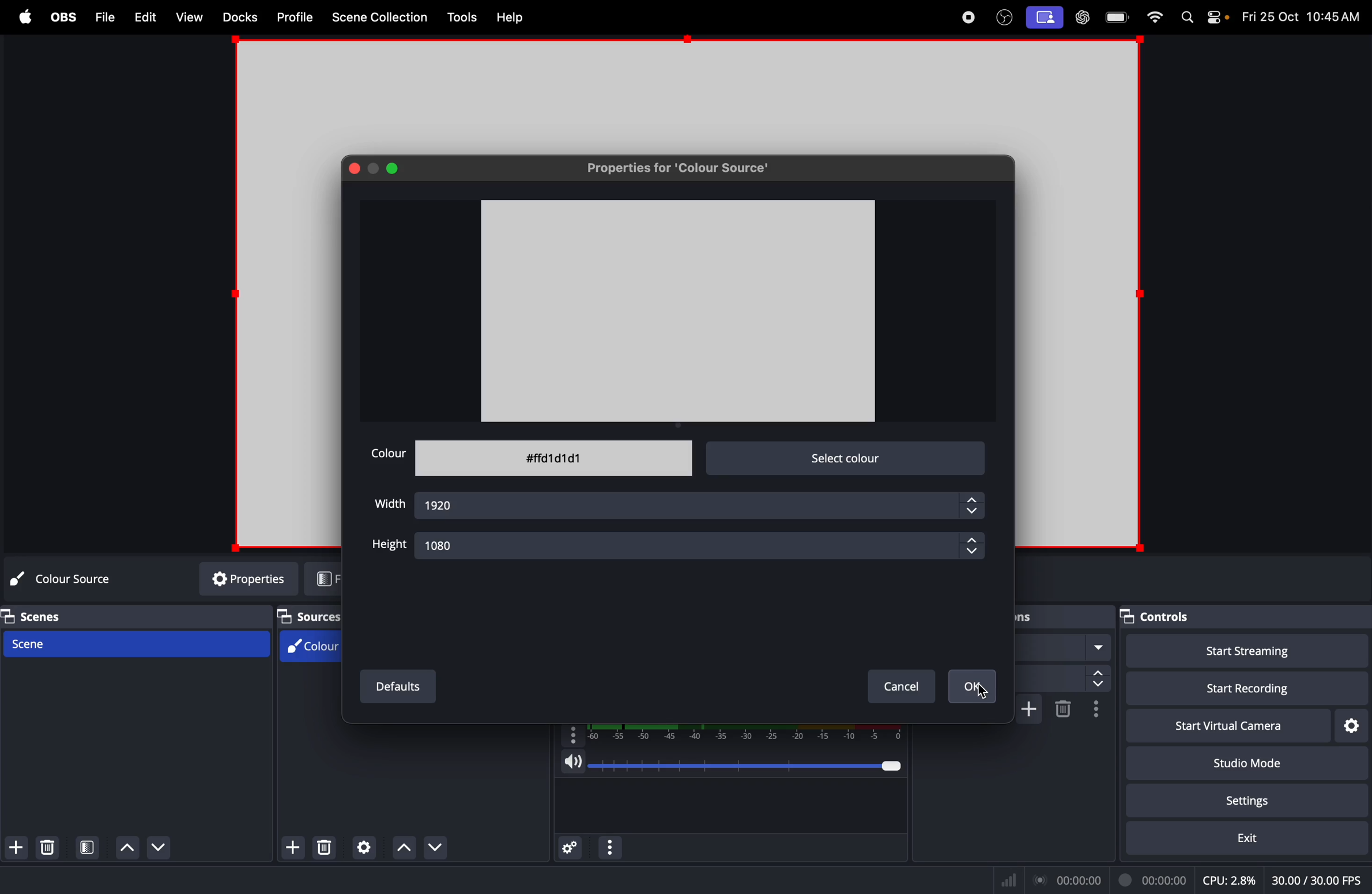  Describe the element at coordinates (1081, 18) in the screenshot. I see `chat gpt` at that location.